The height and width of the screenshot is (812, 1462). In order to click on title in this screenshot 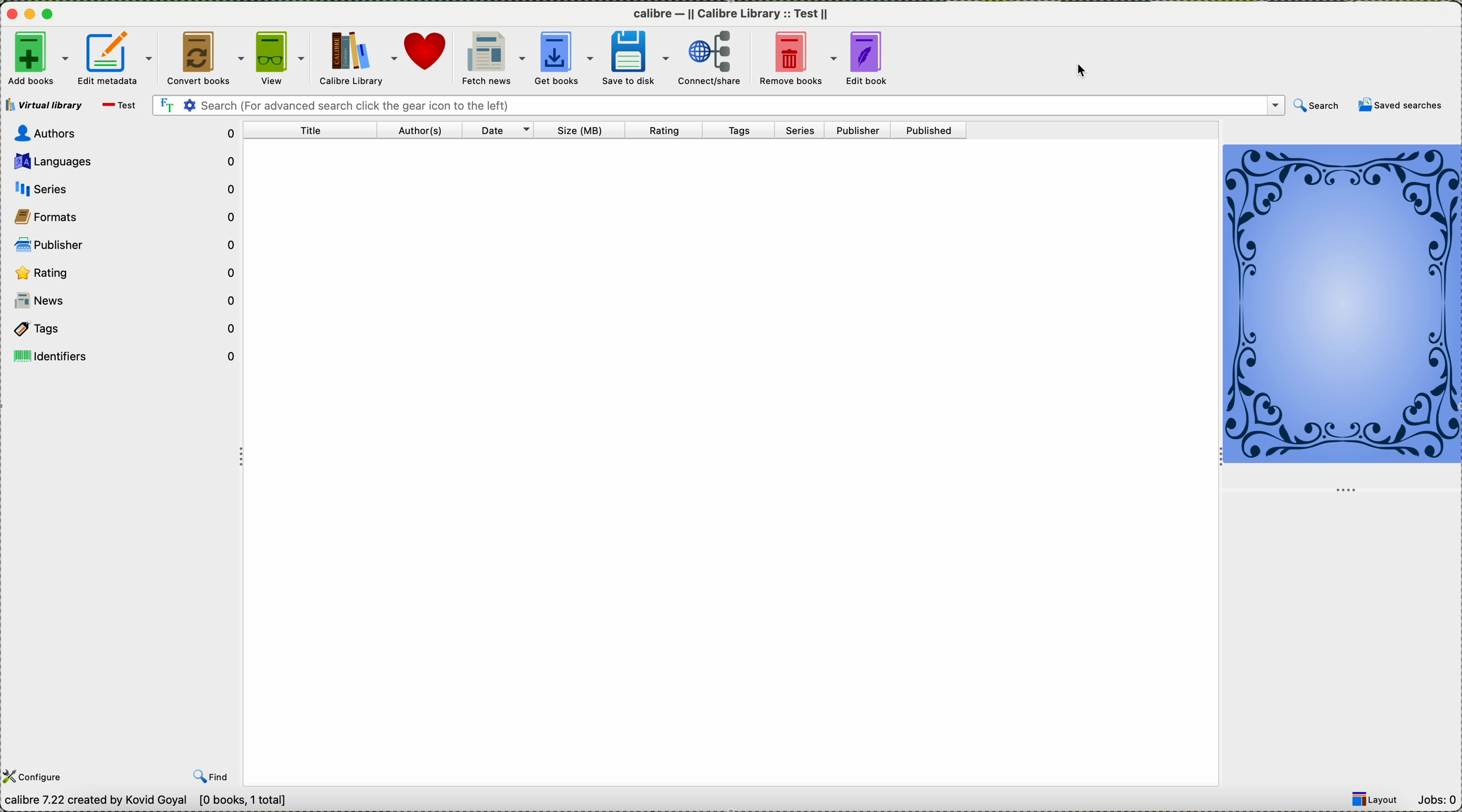, I will do `click(317, 131)`.